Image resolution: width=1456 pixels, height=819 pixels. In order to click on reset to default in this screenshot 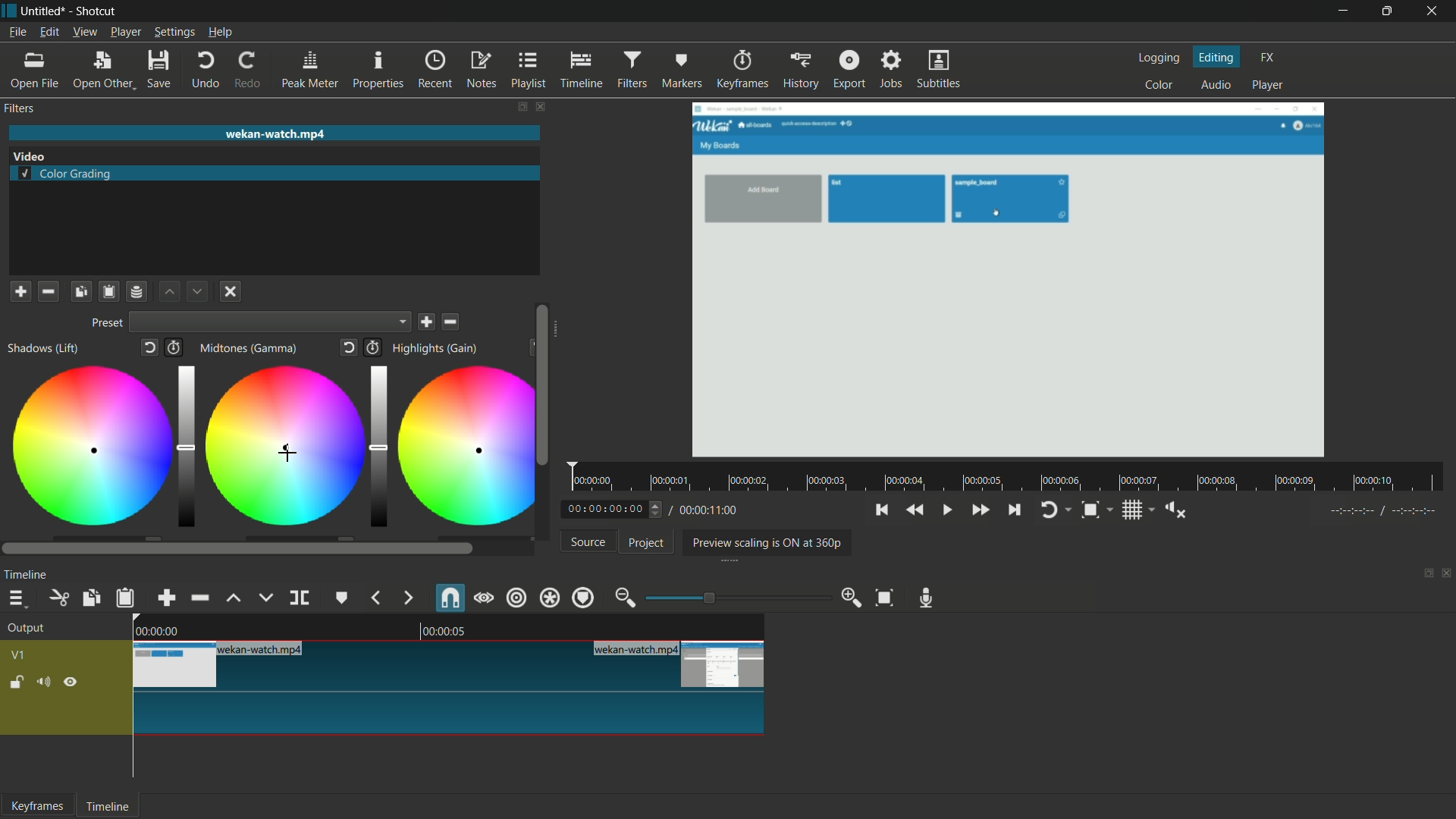, I will do `click(148, 347)`.